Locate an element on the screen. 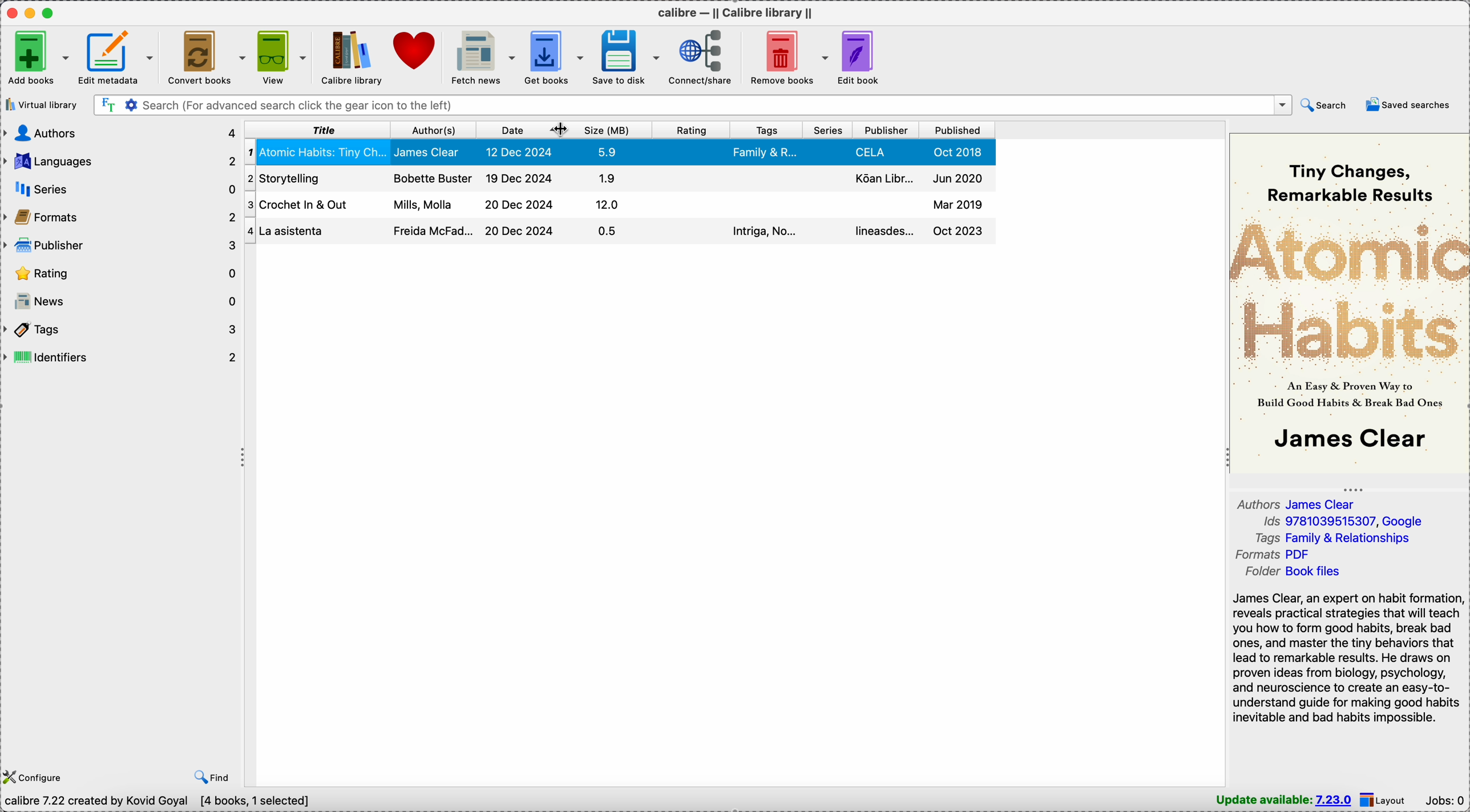 The height and width of the screenshot is (812, 1470). James Clear, an expert on habit formation, reveals practical strategies that will teach you how to form good habits, break bad ones, and master the tiny behaviors that lead to remarkable results... is located at coordinates (1345, 657).